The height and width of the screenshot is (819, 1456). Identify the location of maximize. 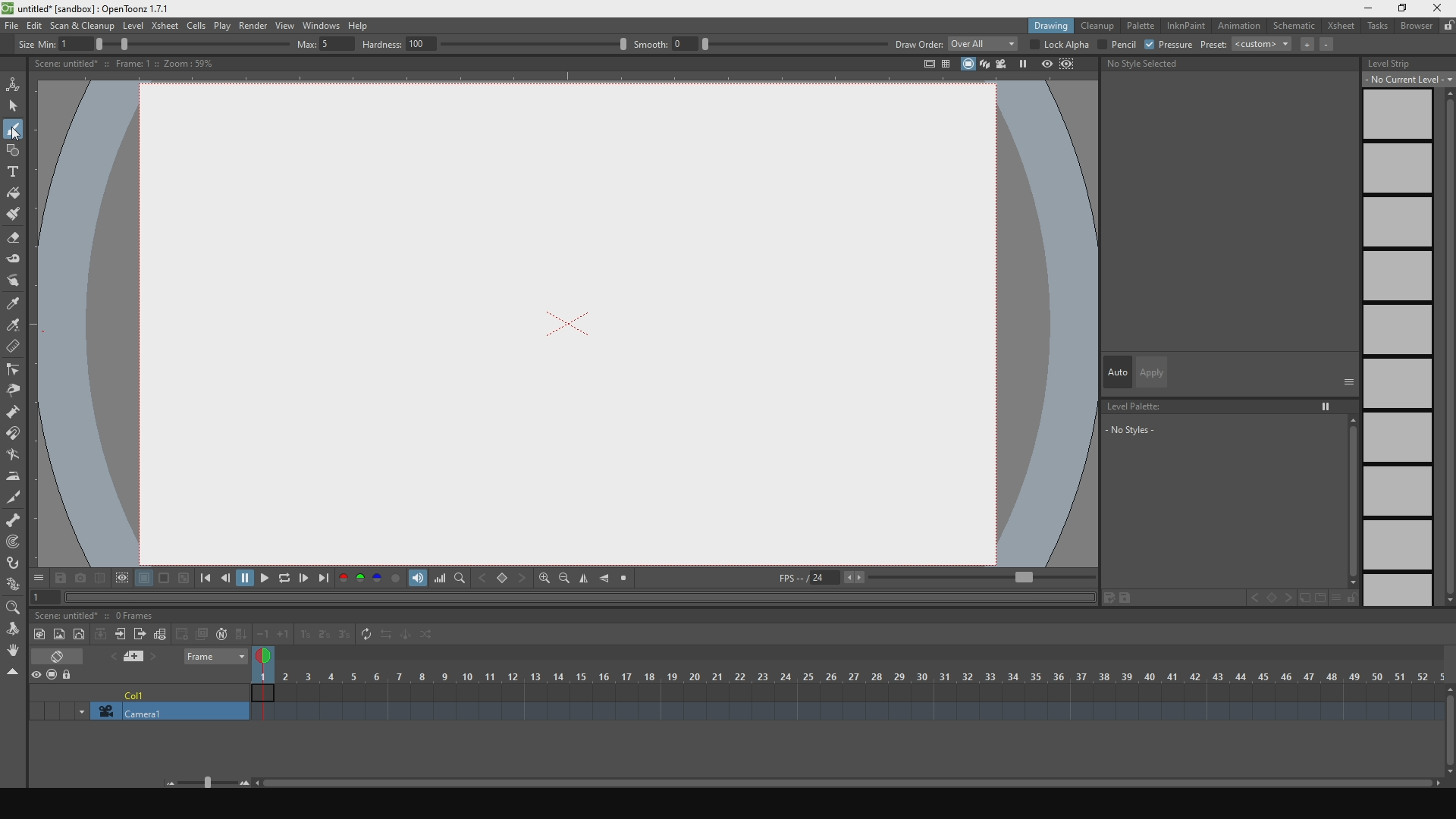
(1403, 9).